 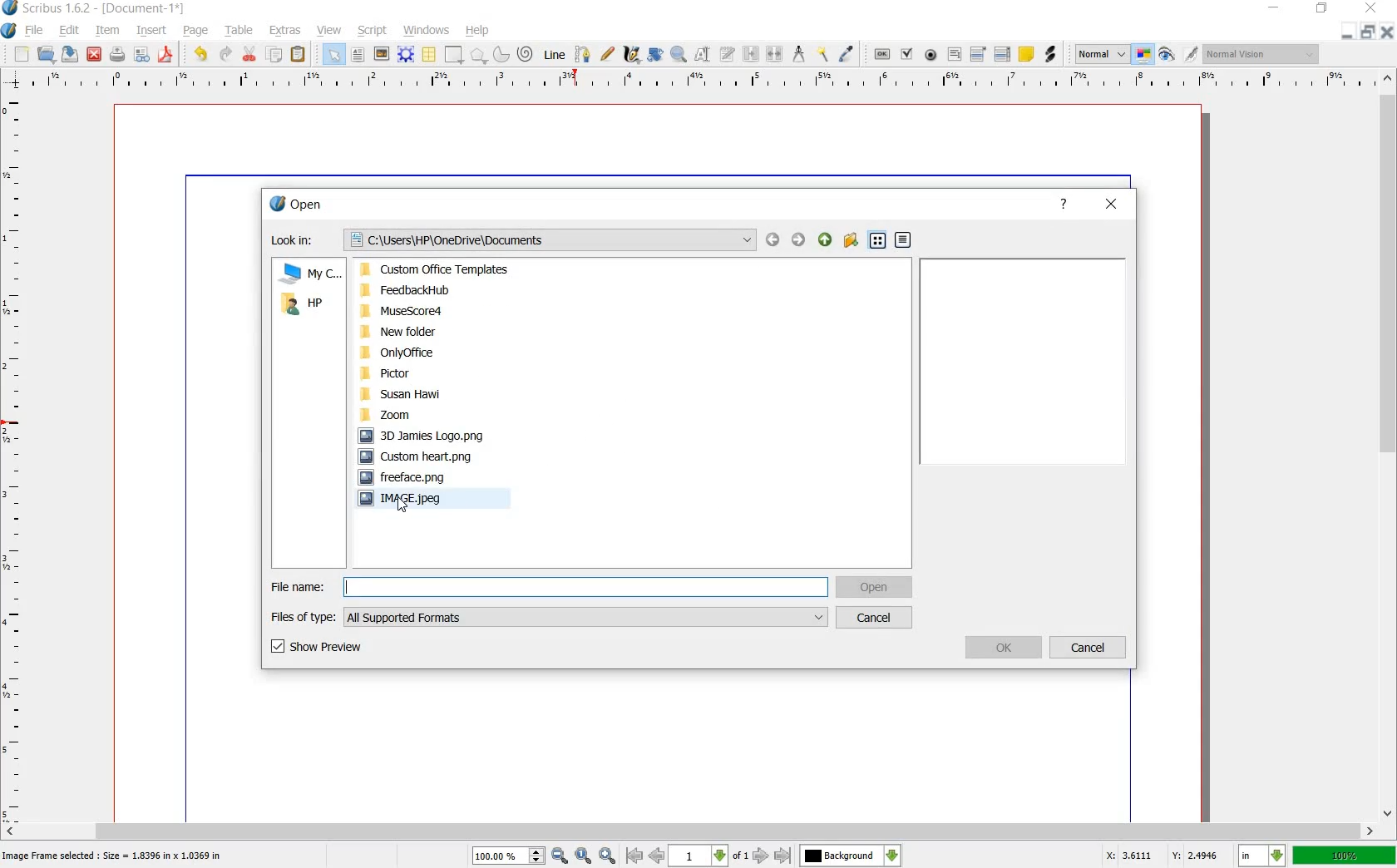 I want to click on pdf check box, so click(x=907, y=55).